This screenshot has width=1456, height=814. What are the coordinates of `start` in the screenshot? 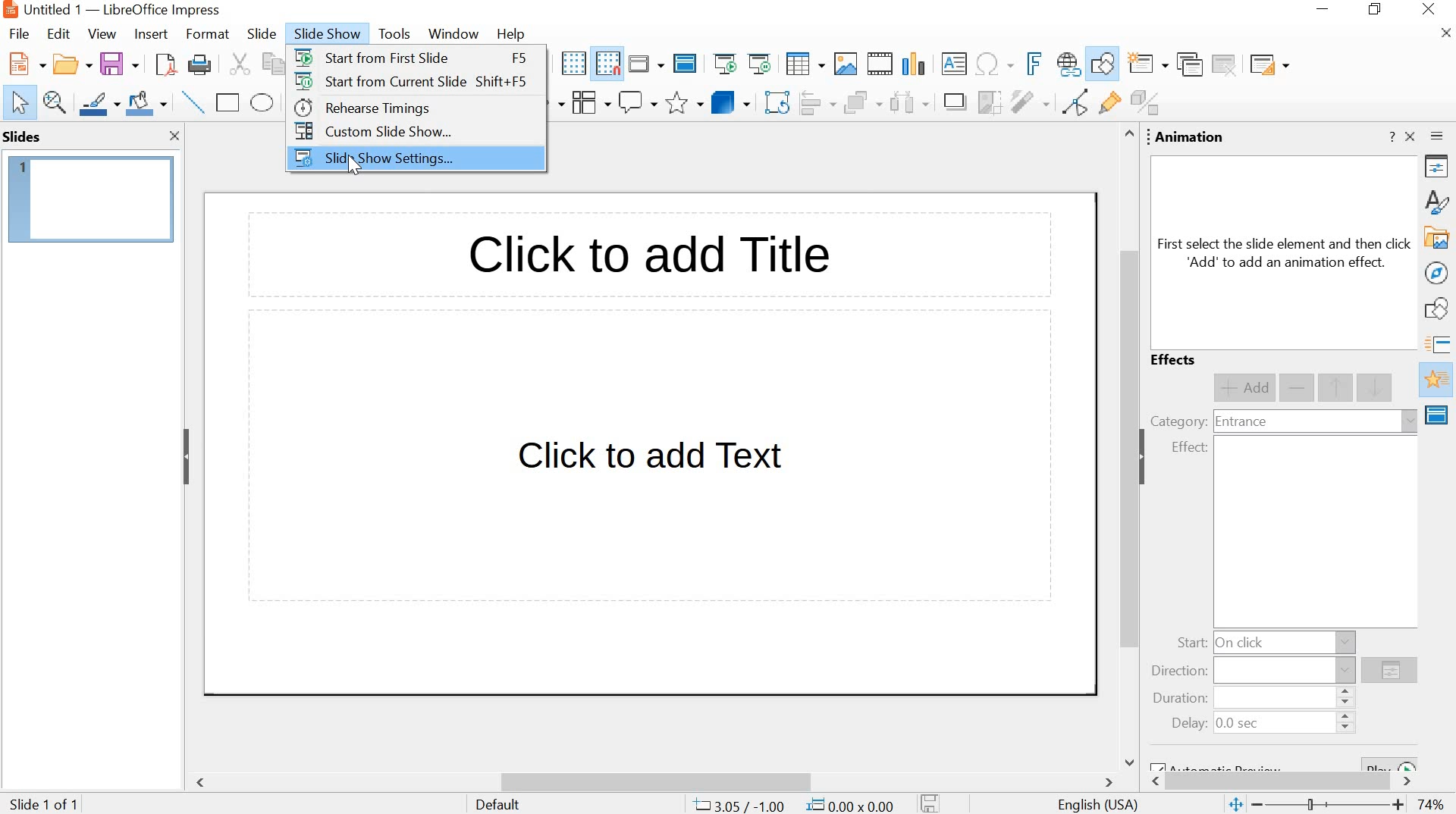 It's located at (1191, 643).